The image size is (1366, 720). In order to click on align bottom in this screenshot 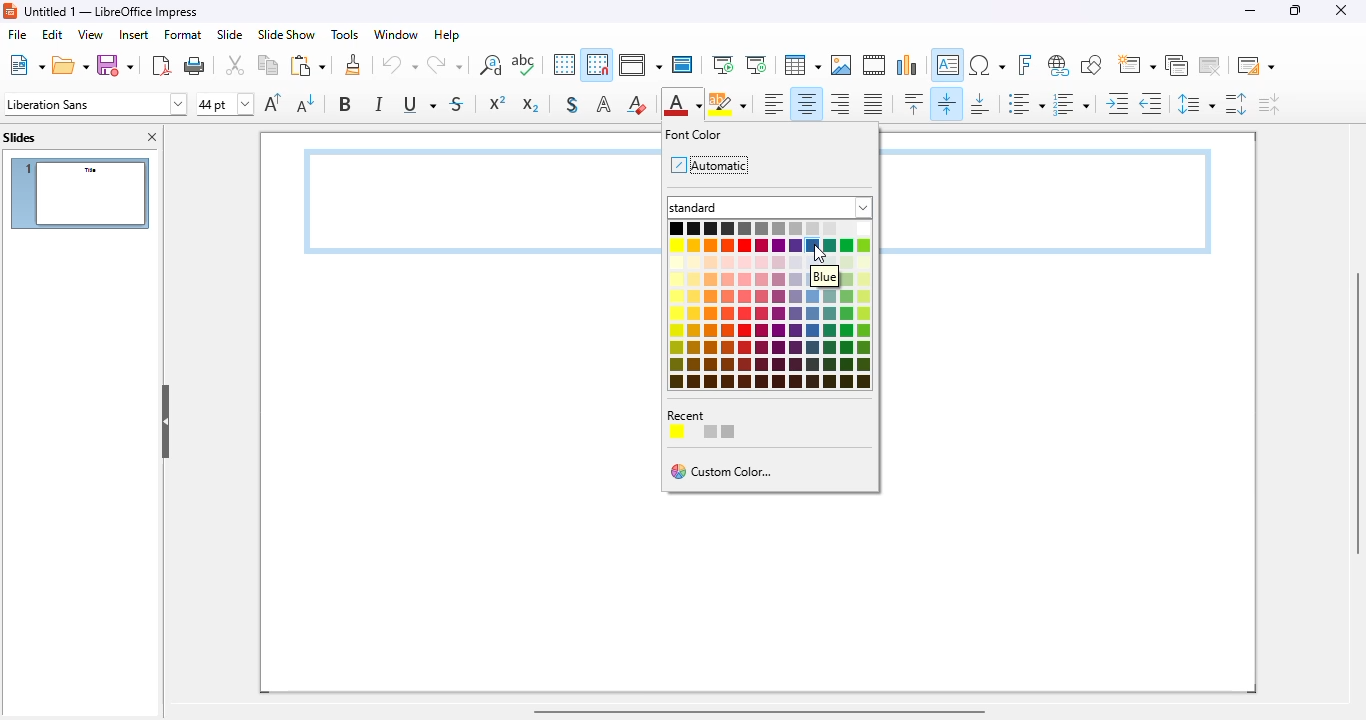, I will do `click(979, 104)`.